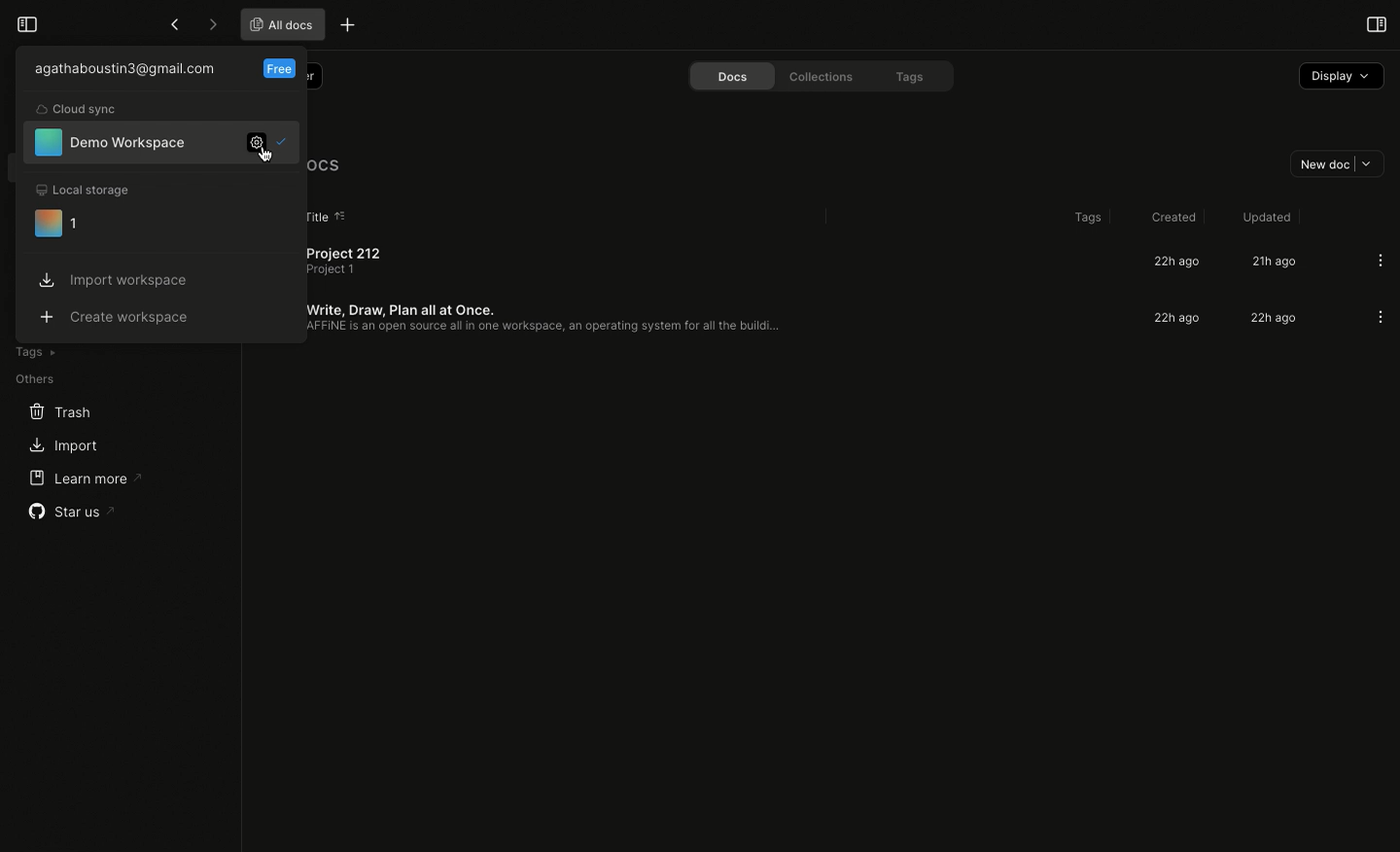  What do you see at coordinates (25, 22) in the screenshot?
I see `Collapse sidebar` at bounding box center [25, 22].